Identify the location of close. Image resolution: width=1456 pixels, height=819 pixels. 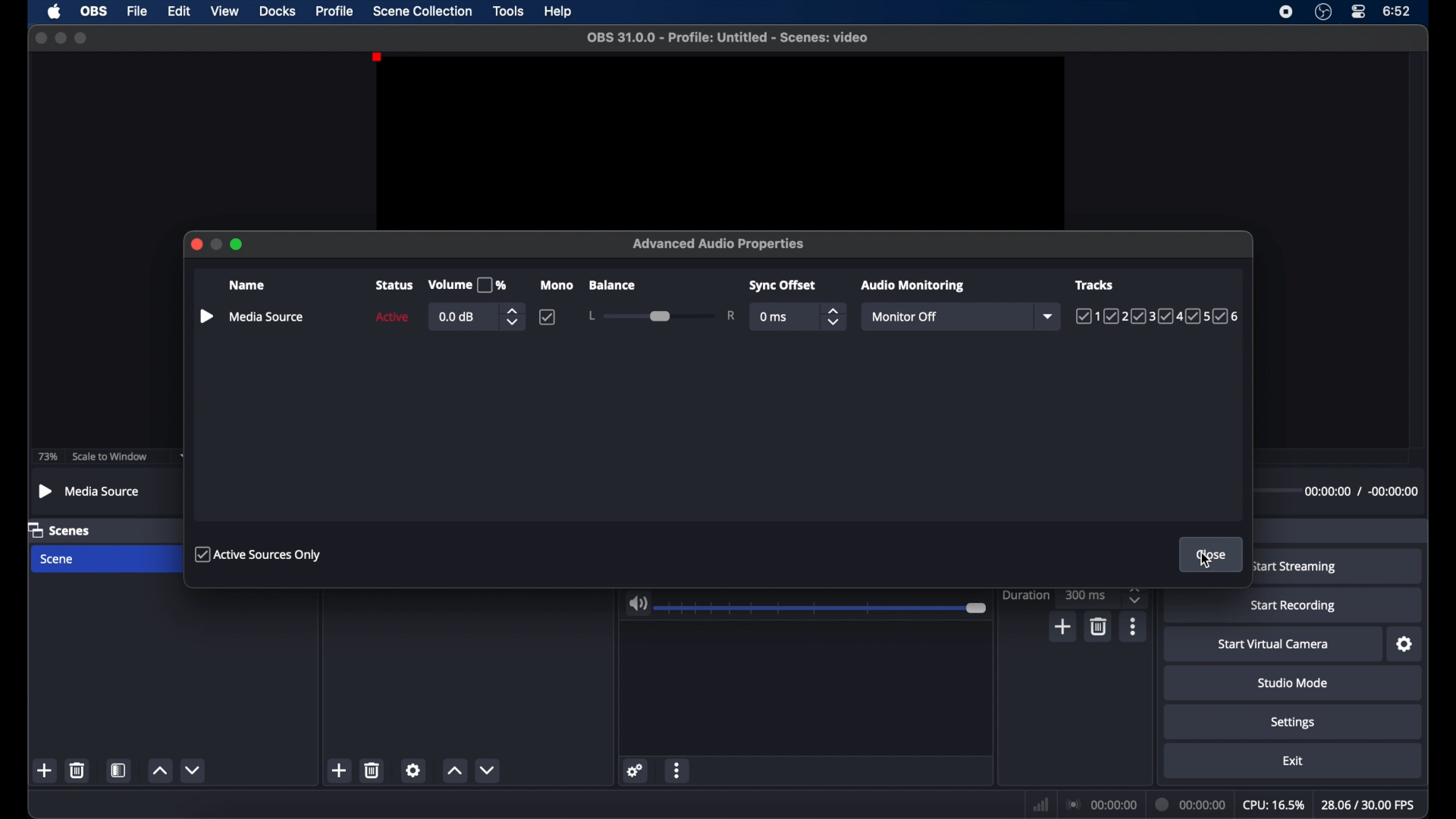
(195, 244).